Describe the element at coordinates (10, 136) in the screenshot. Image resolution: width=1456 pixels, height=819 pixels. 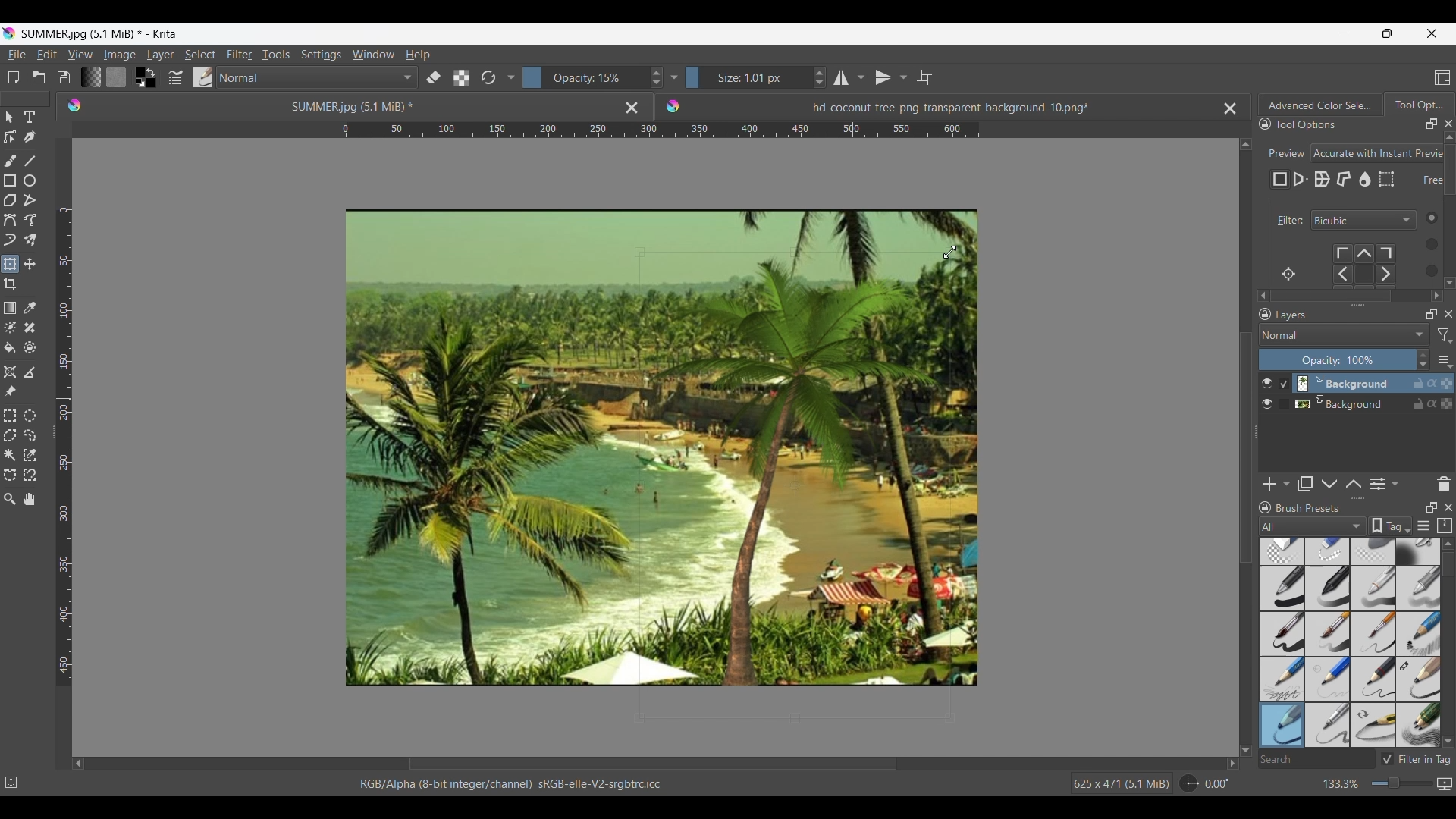
I see `Edit shapes tool` at that location.